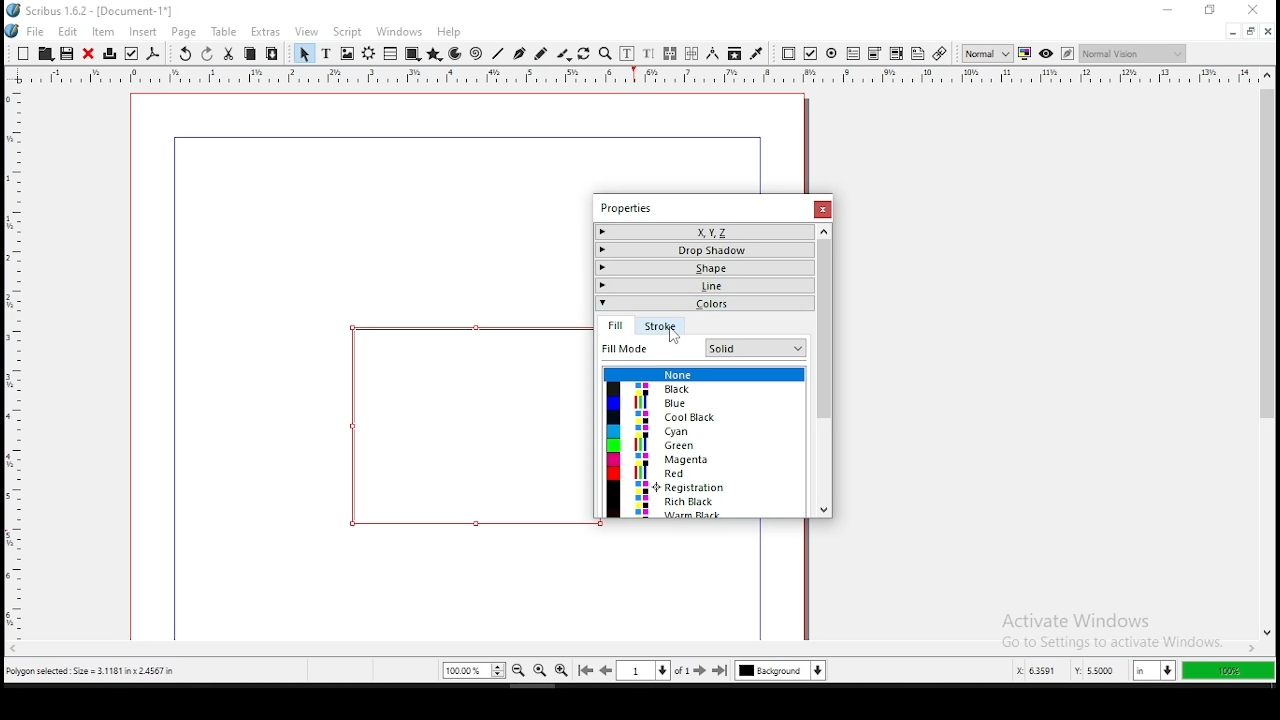 Image resolution: width=1280 pixels, height=720 pixels. Describe the element at coordinates (1133, 54) in the screenshot. I see `normal vision` at that location.